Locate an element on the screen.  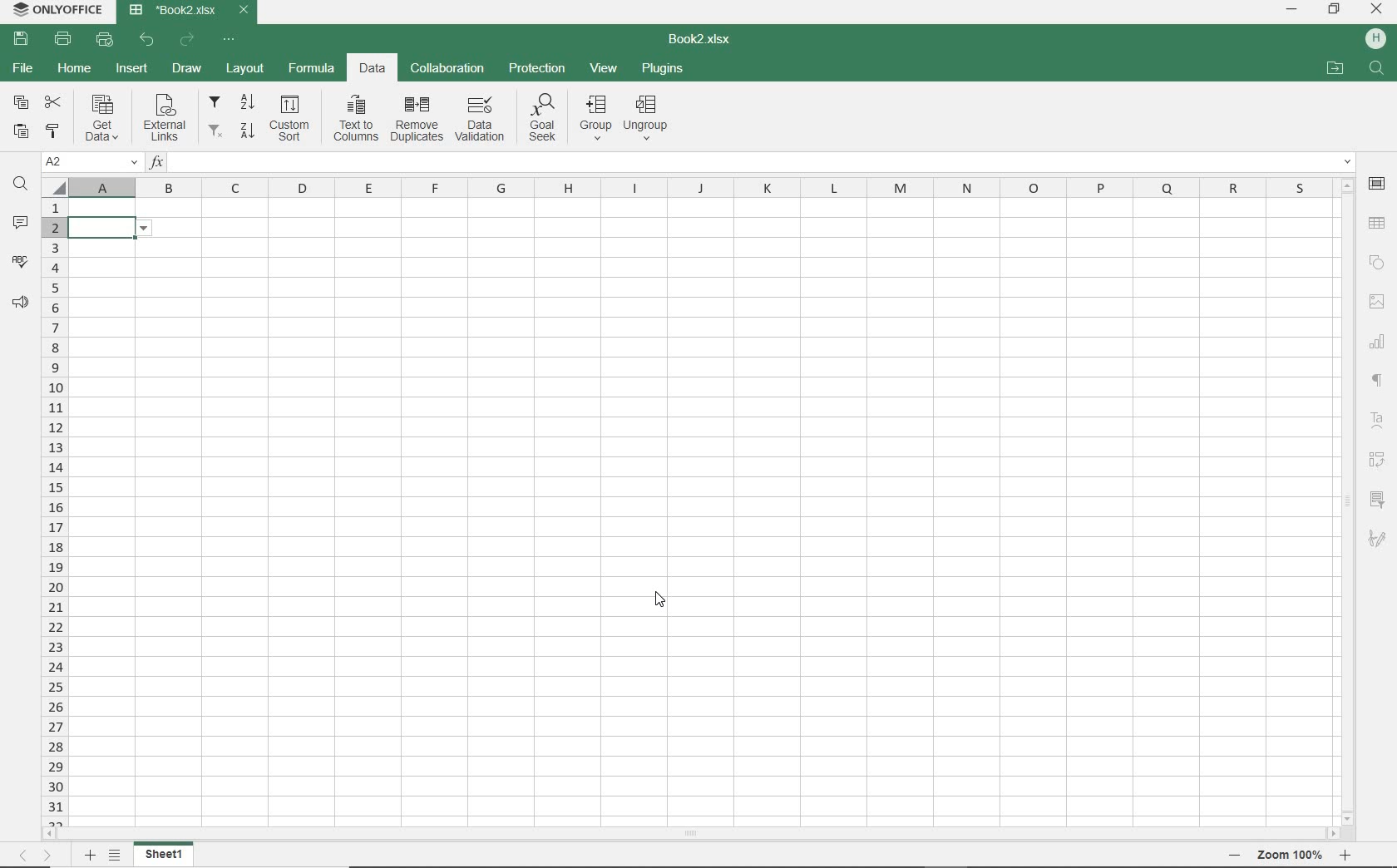
FEEDBACK & SUPPORT is located at coordinates (21, 303).